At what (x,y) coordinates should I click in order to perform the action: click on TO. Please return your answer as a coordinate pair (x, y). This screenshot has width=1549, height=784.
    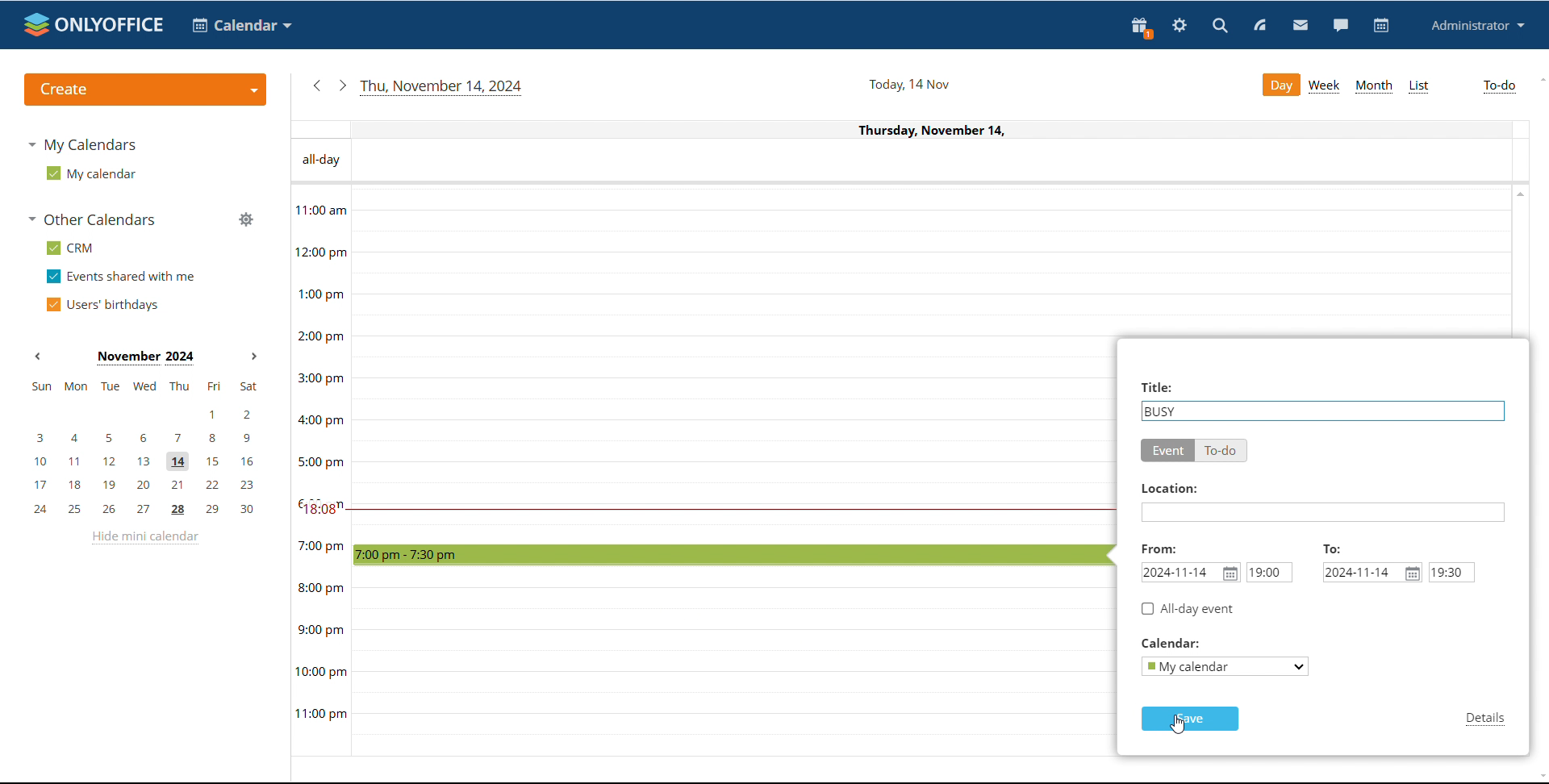
    Looking at the image, I should click on (1334, 549).